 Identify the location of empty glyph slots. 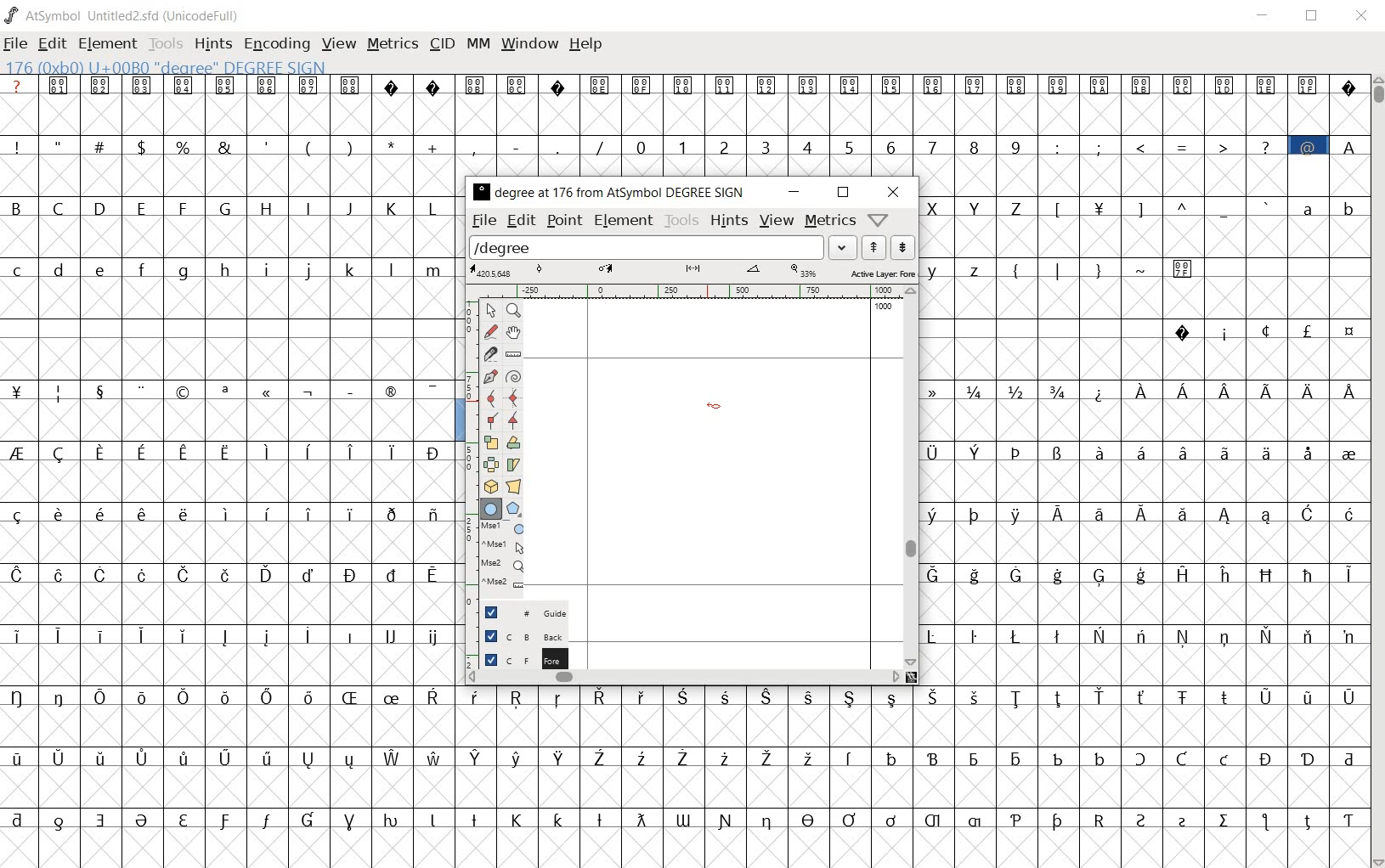
(1142, 300).